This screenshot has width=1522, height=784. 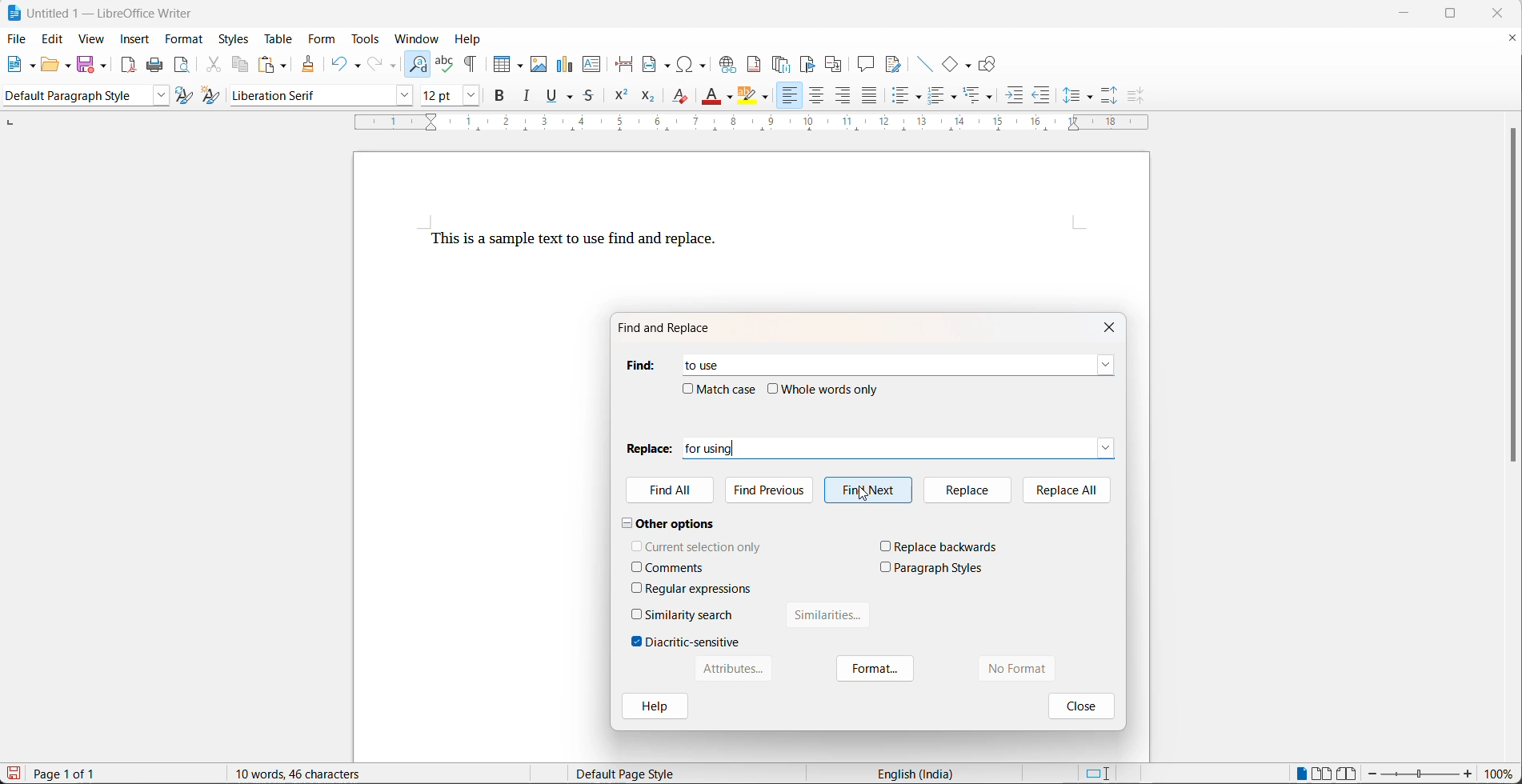 I want to click on superscript, so click(x=620, y=99).